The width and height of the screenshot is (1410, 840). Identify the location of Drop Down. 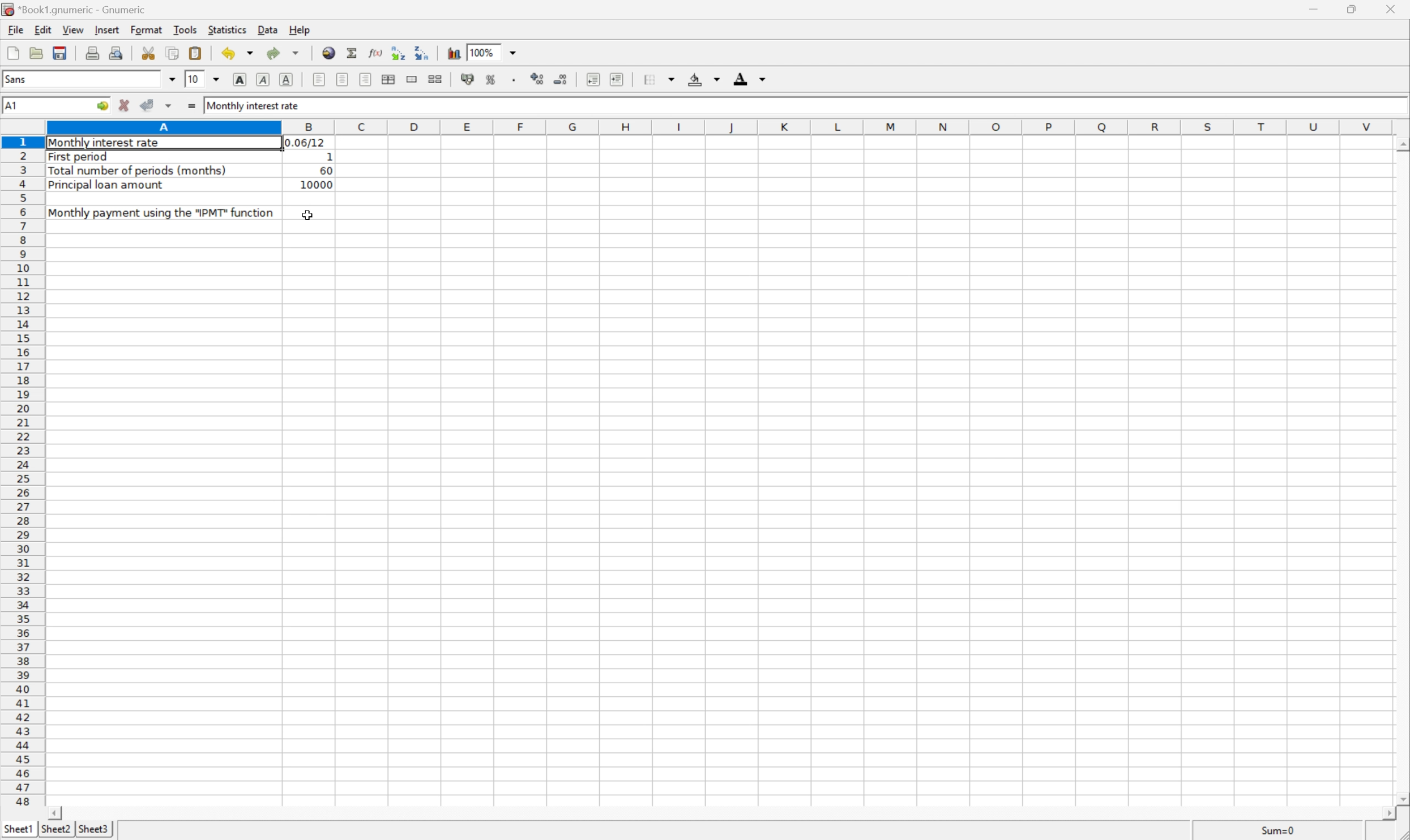
(515, 52).